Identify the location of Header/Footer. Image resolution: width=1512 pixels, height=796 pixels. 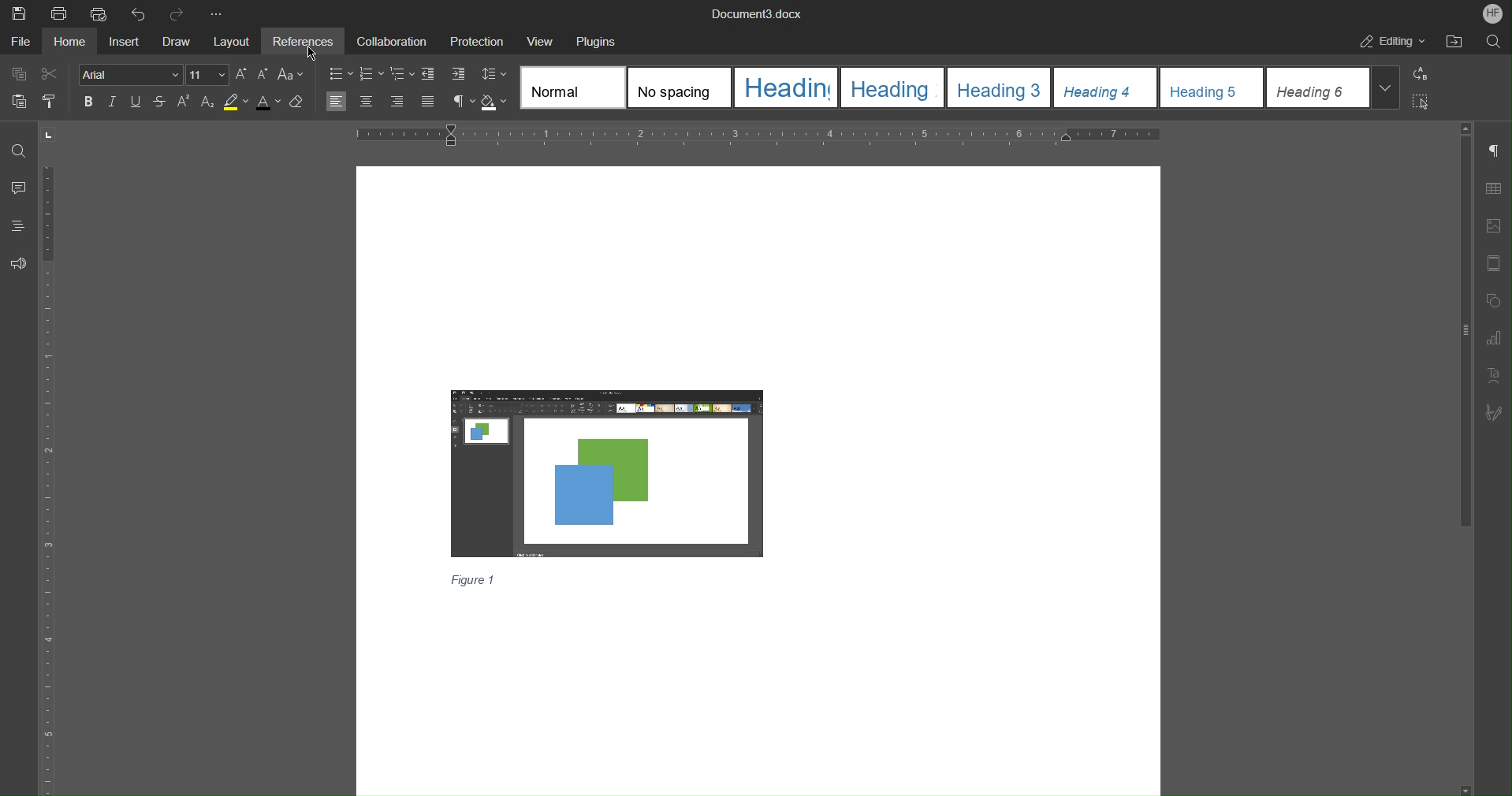
(1495, 265).